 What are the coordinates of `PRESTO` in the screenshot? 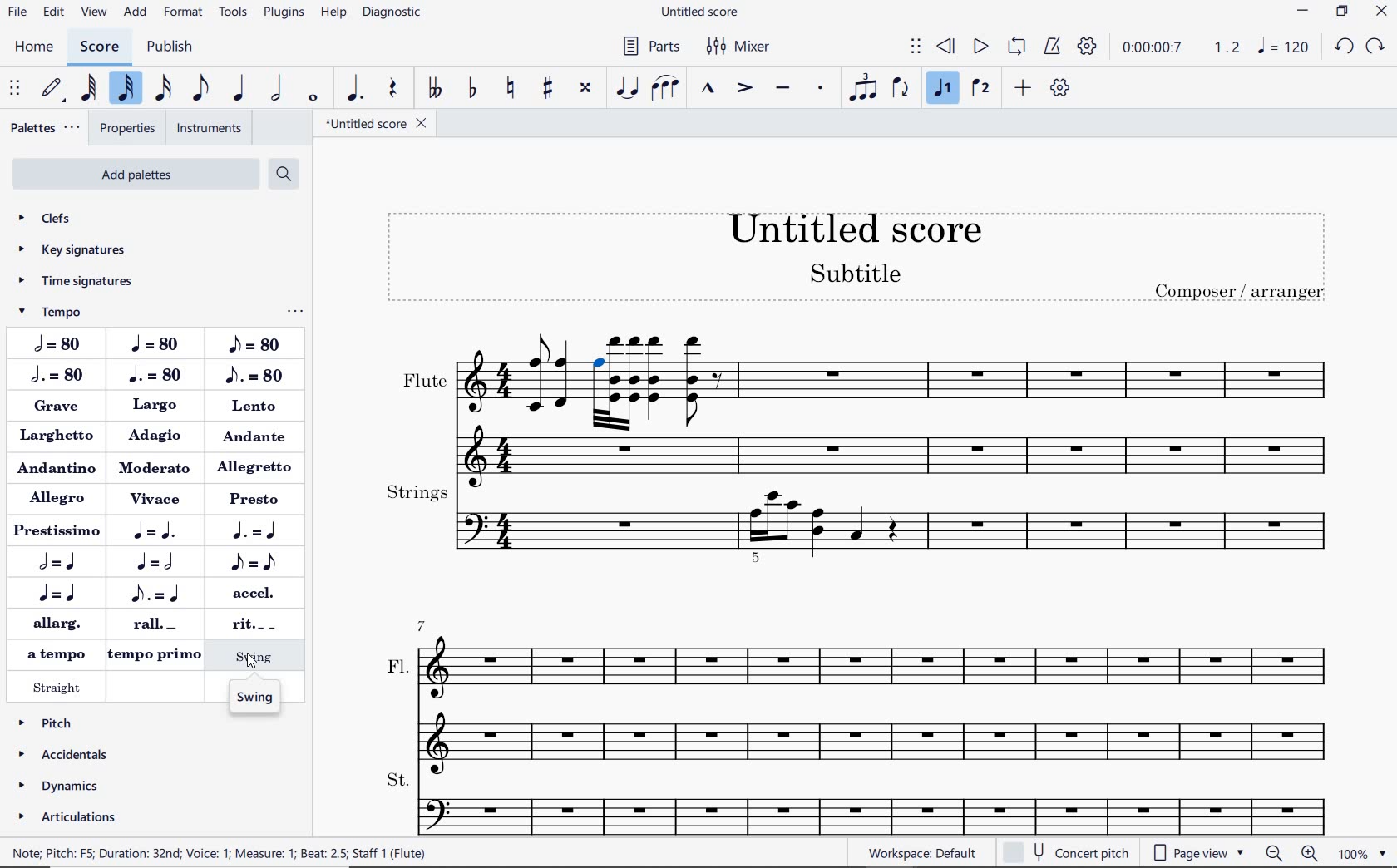 It's located at (257, 496).